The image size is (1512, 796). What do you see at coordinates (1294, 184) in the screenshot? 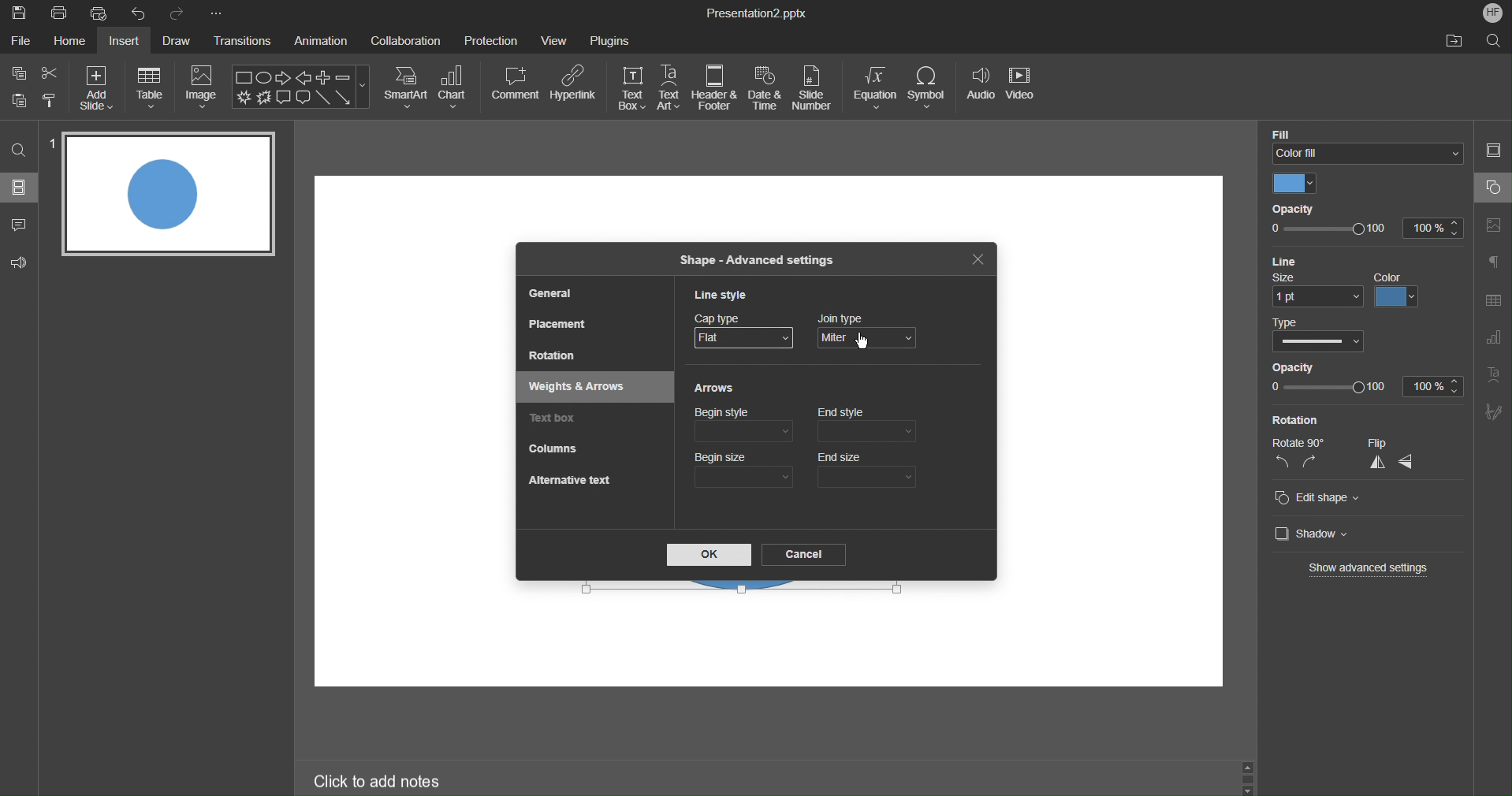
I see `Color` at bounding box center [1294, 184].